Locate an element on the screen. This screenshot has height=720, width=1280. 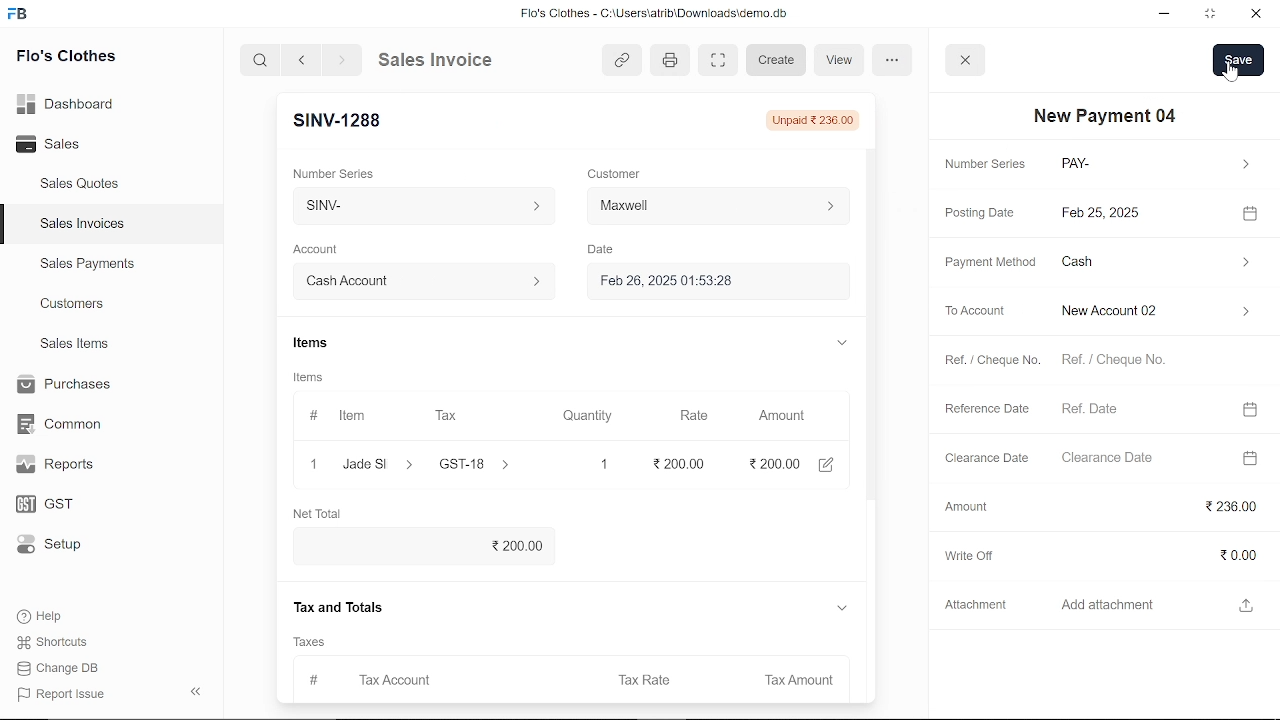
Tax Rate is located at coordinates (644, 676).